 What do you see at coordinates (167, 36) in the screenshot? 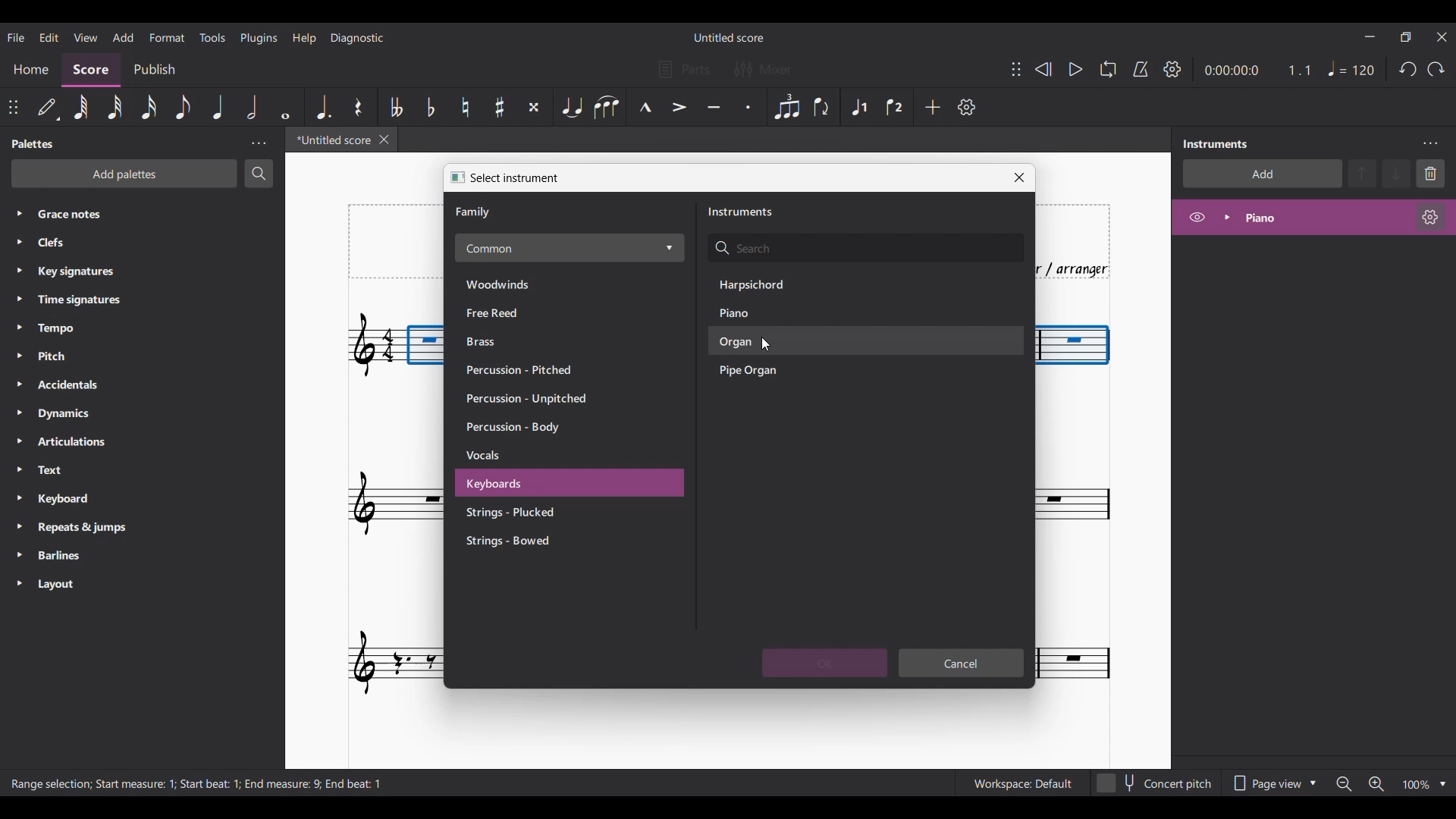
I see `Format menu` at bounding box center [167, 36].